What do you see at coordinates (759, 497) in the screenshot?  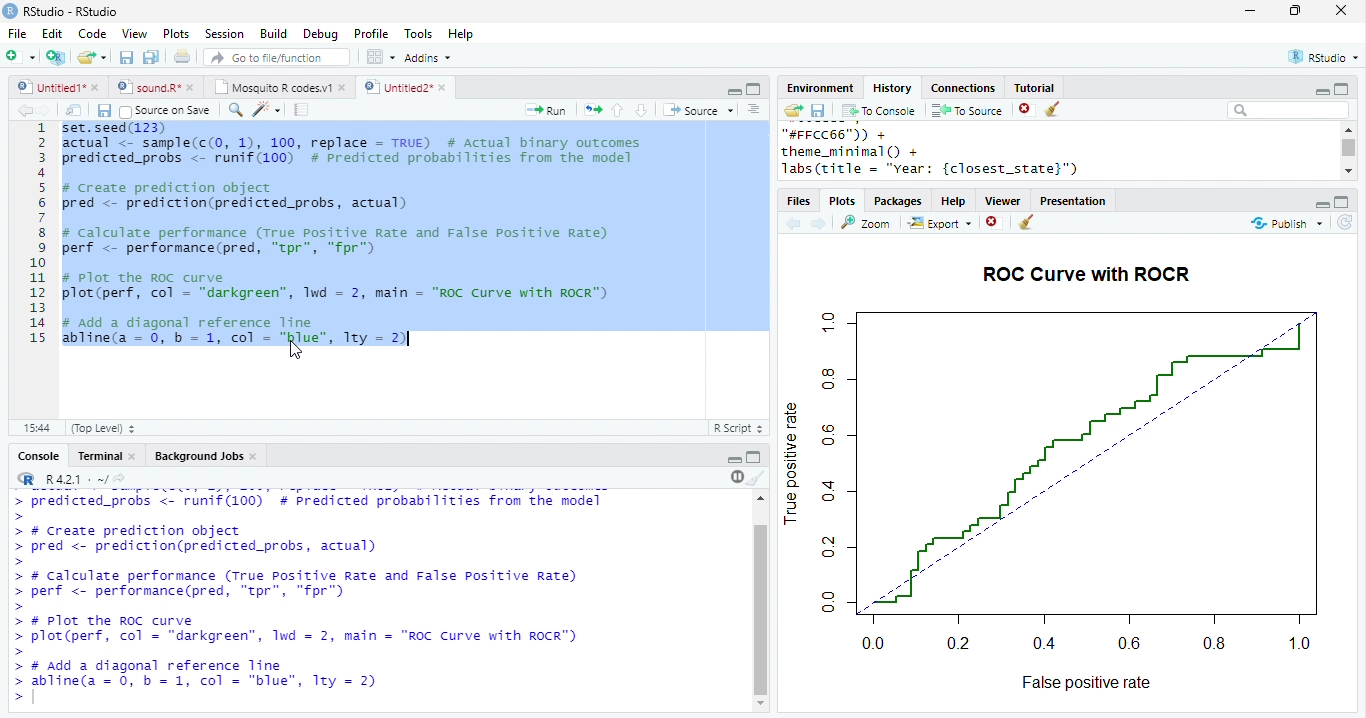 I see `scroll up` at bounding box center [759, 497].